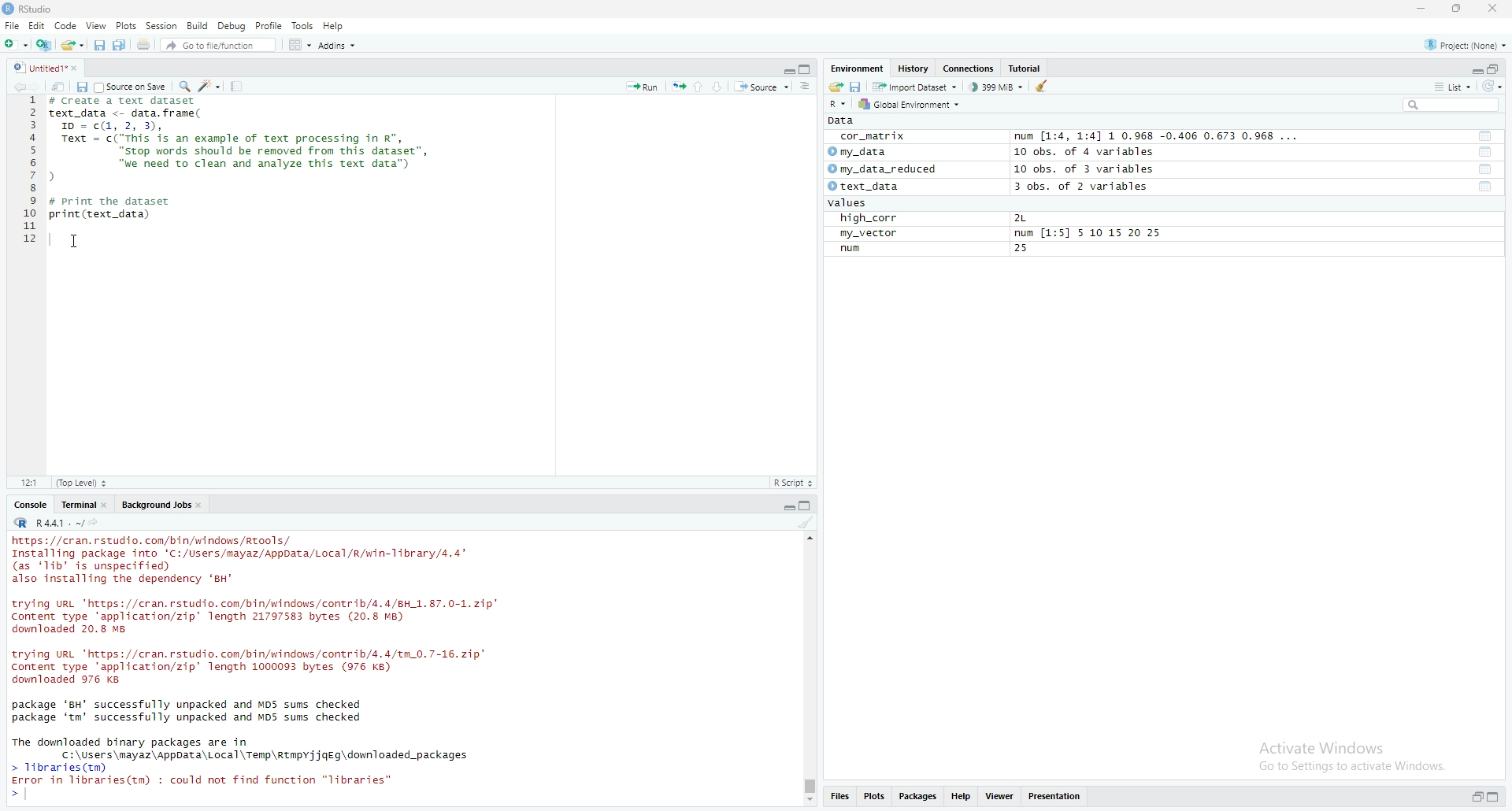 The height and width of the screenshot is (811, 1512). I want to click on minimize, so click(1420, 8).